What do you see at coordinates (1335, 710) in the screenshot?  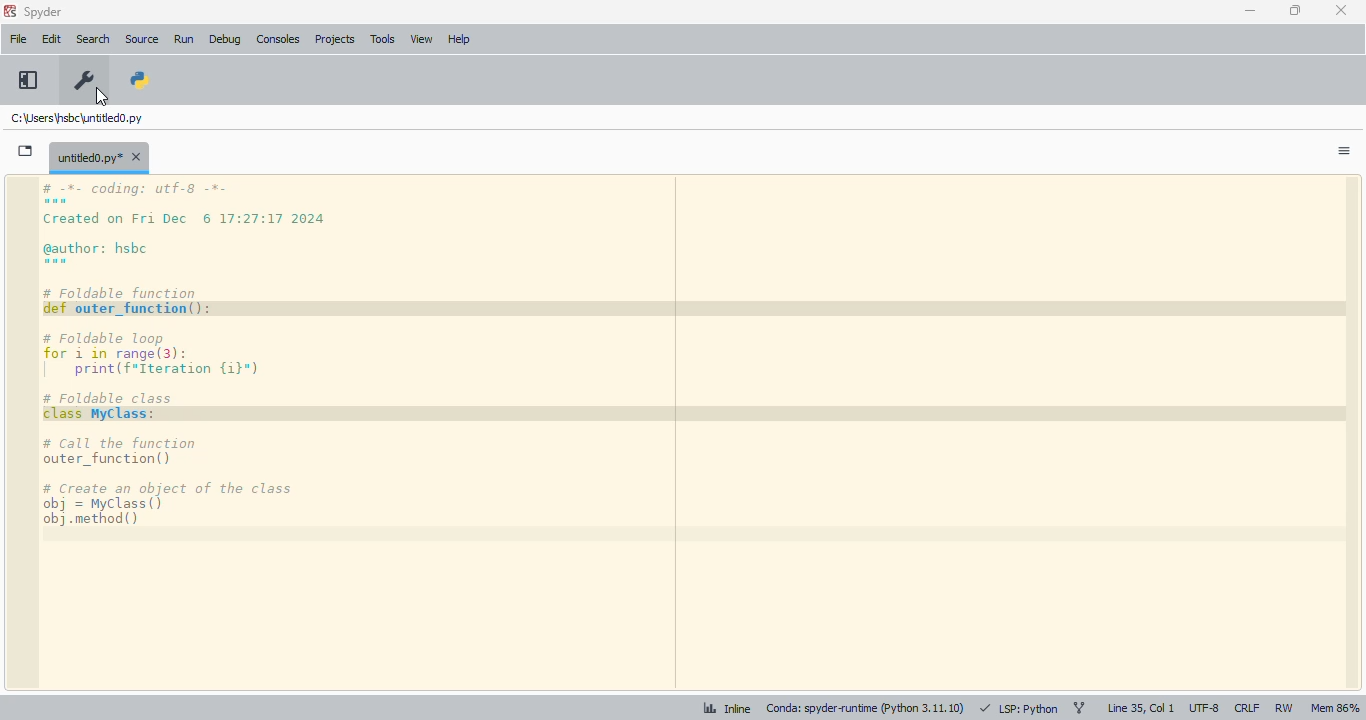 I see `mem 85%` at bounding box center [1335, 710].